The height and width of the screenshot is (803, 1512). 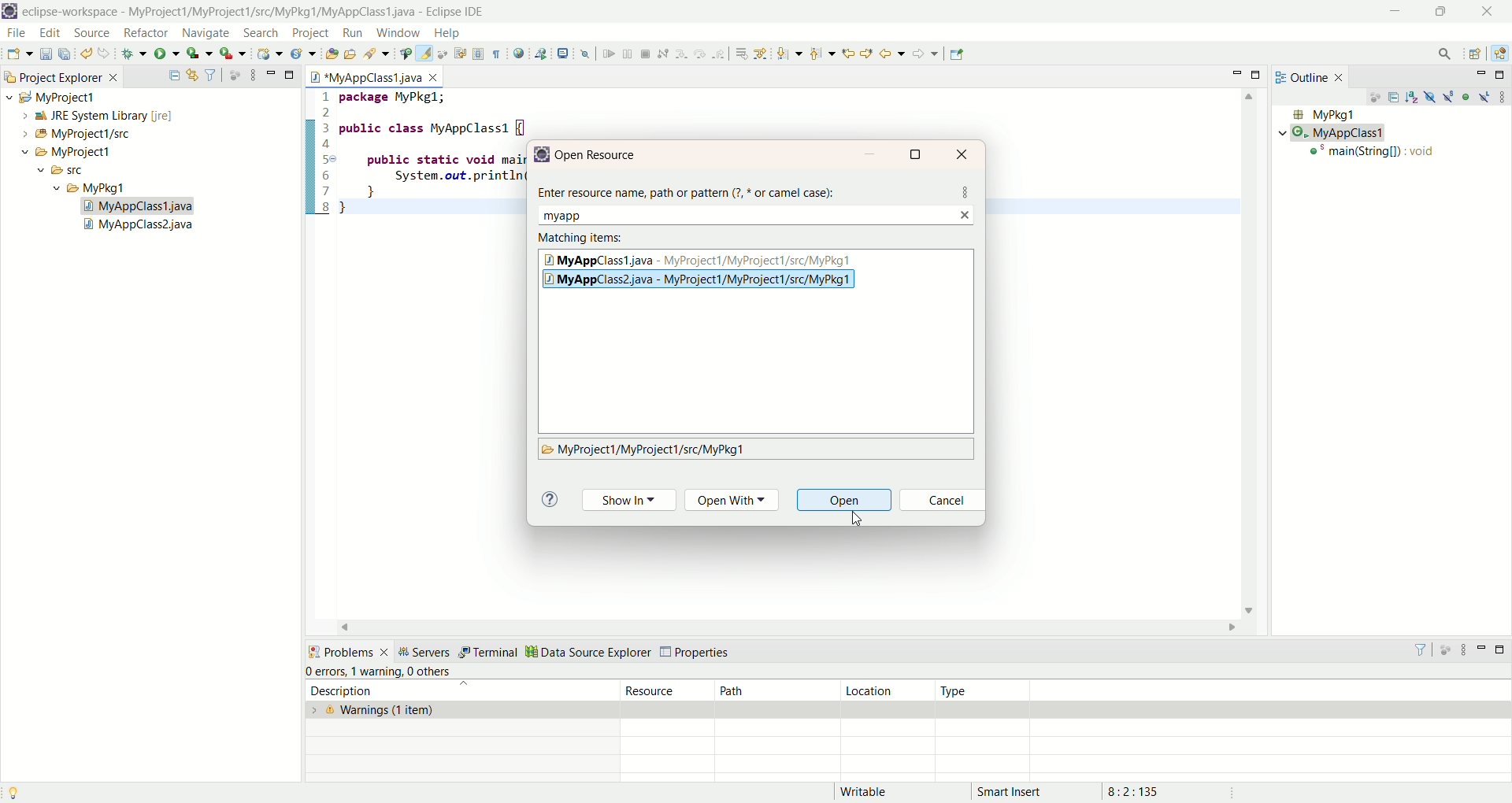 I want to click on step return, so click(x=720, y=56).